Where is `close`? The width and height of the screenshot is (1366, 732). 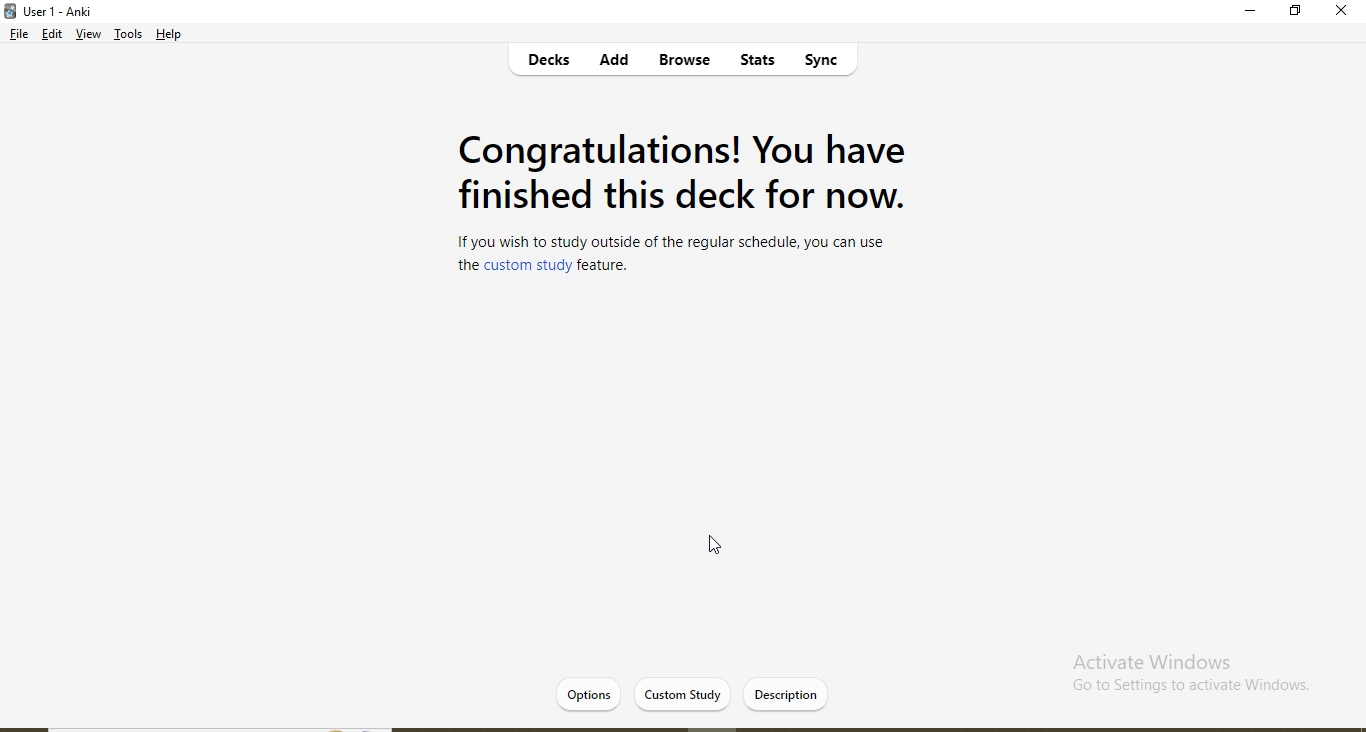 close is located at coordinates (1341, 12).